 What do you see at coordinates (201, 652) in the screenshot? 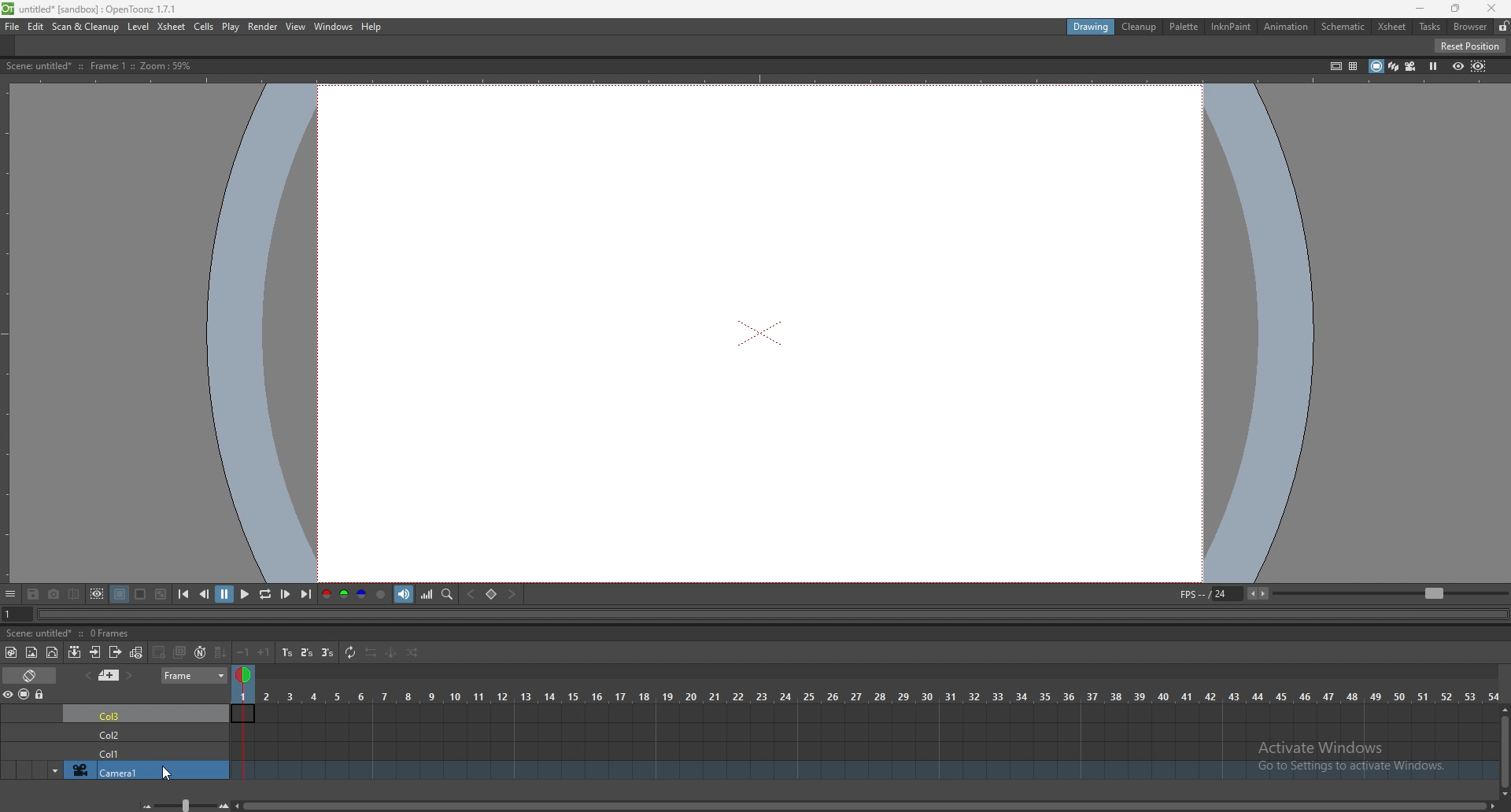
I see `auto input cell number` at bounding box center [201, 652].